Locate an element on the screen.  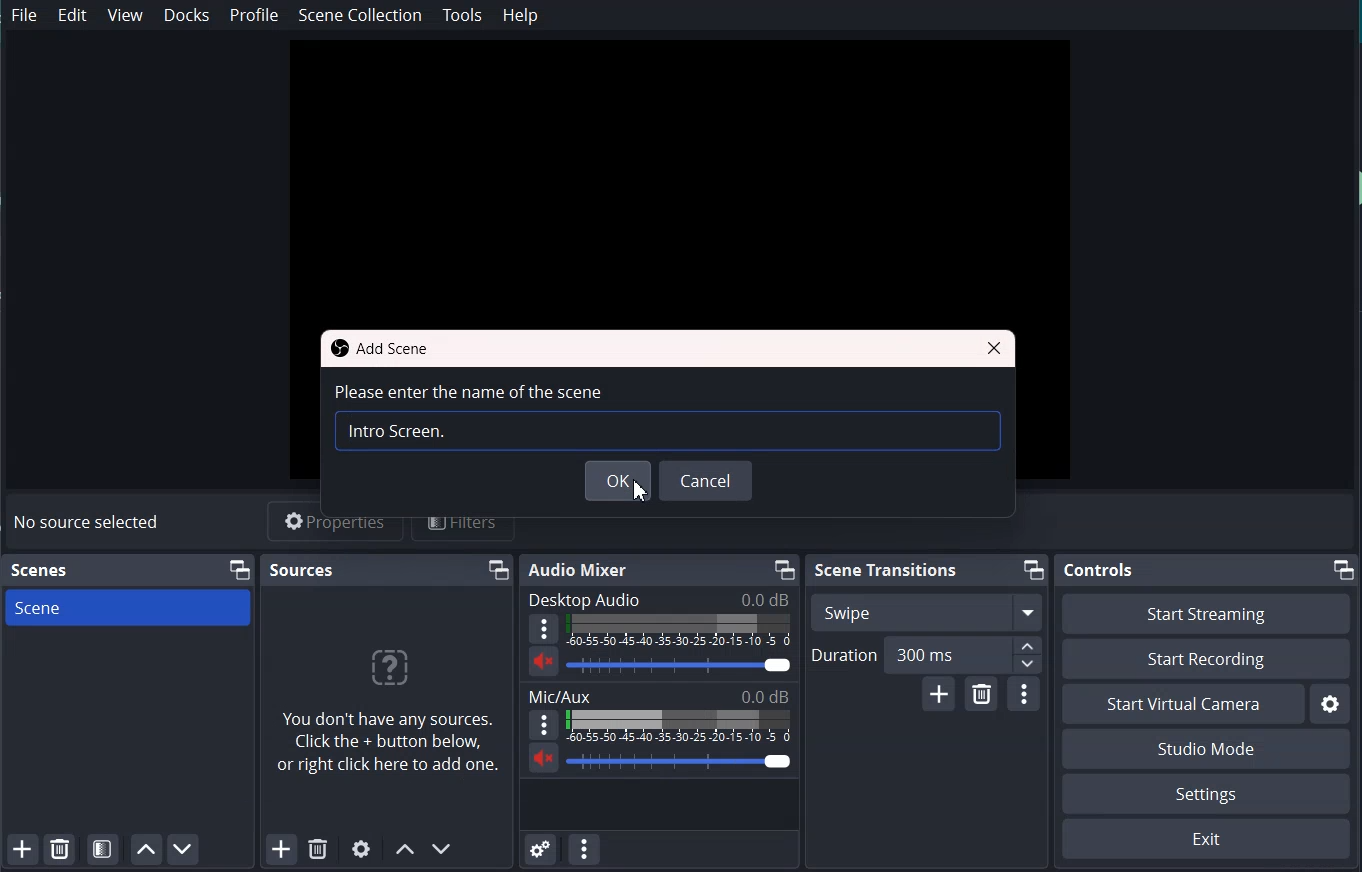
Open Source Properties is located at coordinates (362, 850).